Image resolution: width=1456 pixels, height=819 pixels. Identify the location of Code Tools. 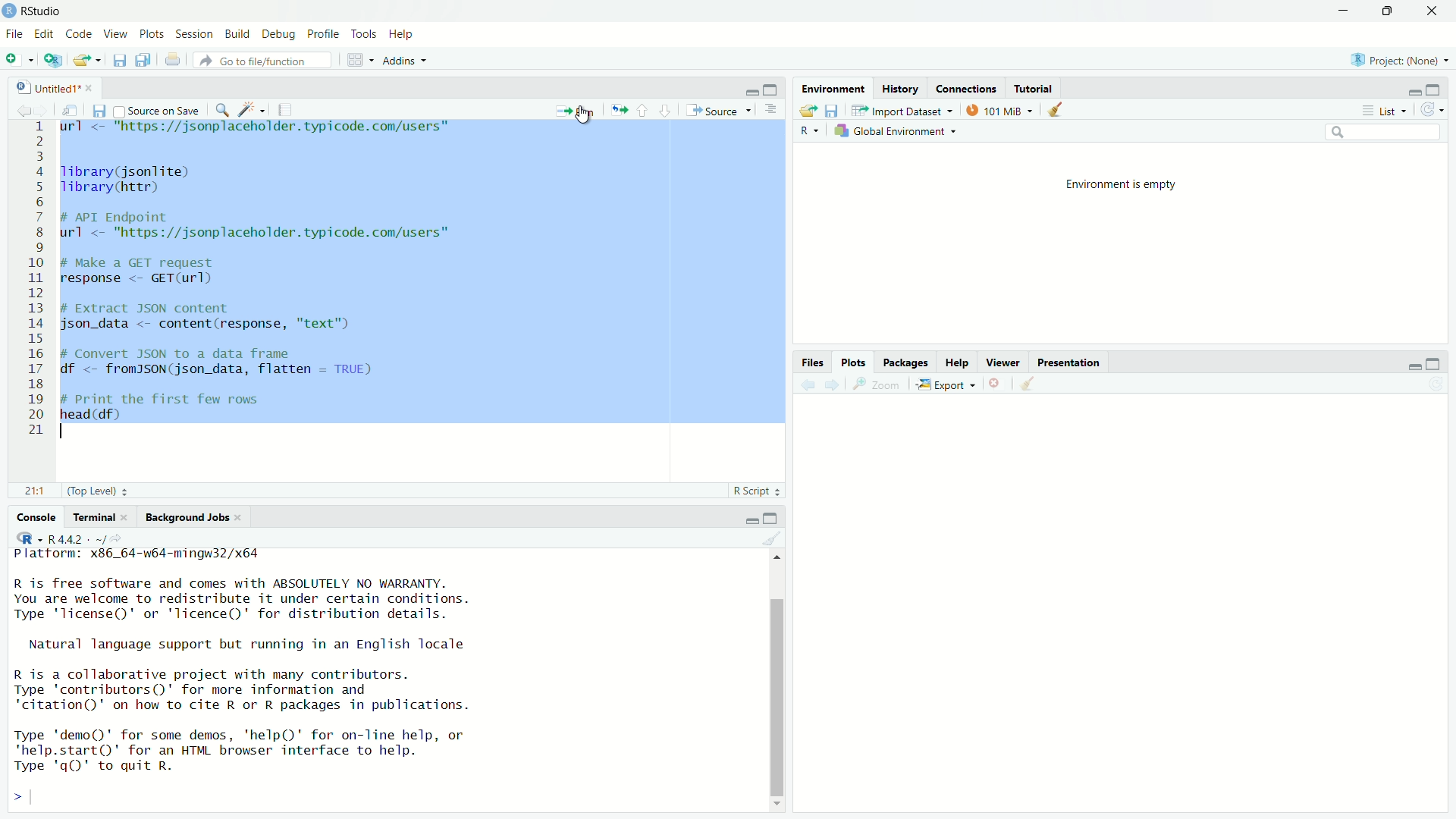
(252, 110).